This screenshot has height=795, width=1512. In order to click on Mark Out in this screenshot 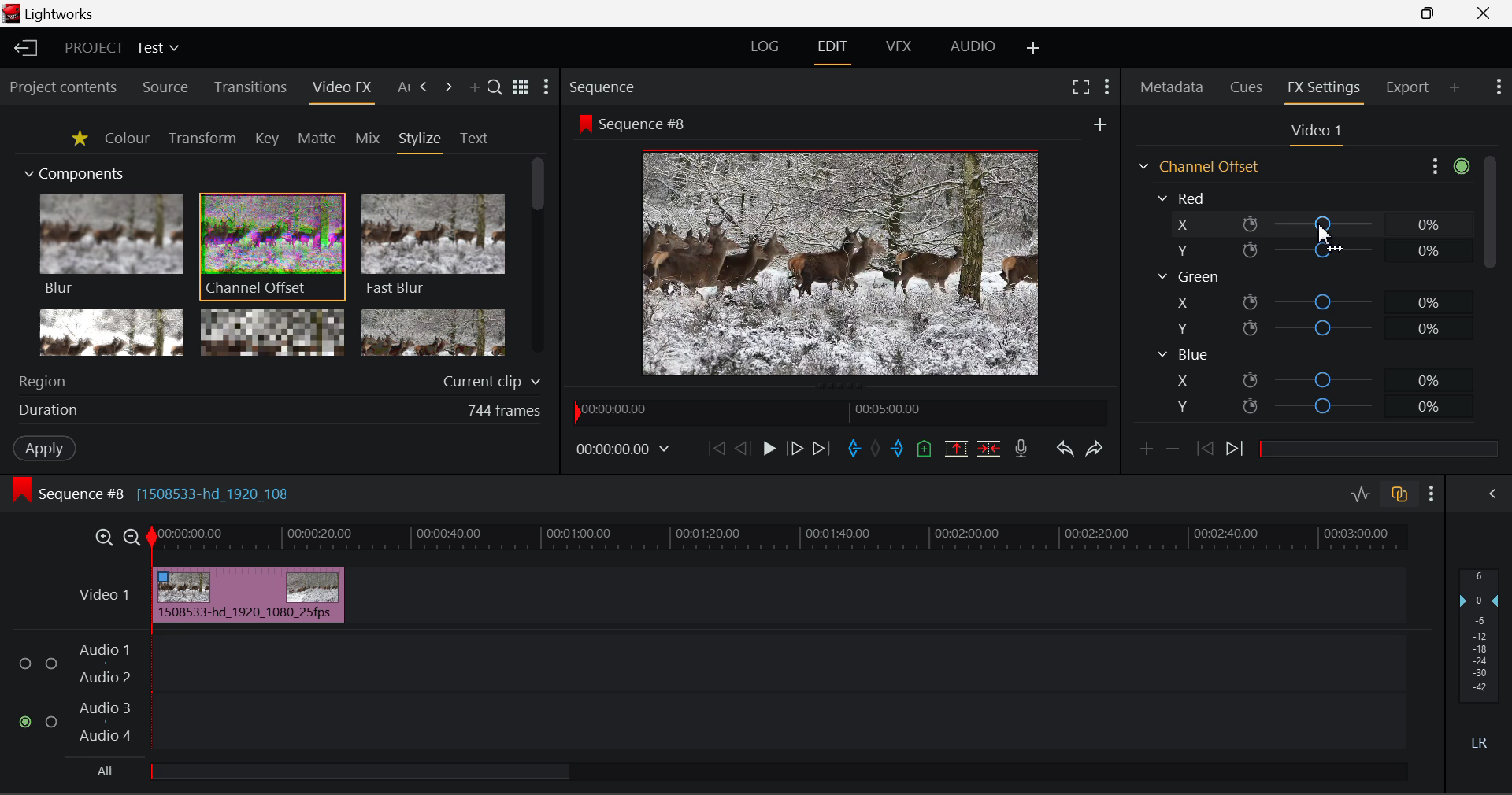, I will do `click(896, 449)`.